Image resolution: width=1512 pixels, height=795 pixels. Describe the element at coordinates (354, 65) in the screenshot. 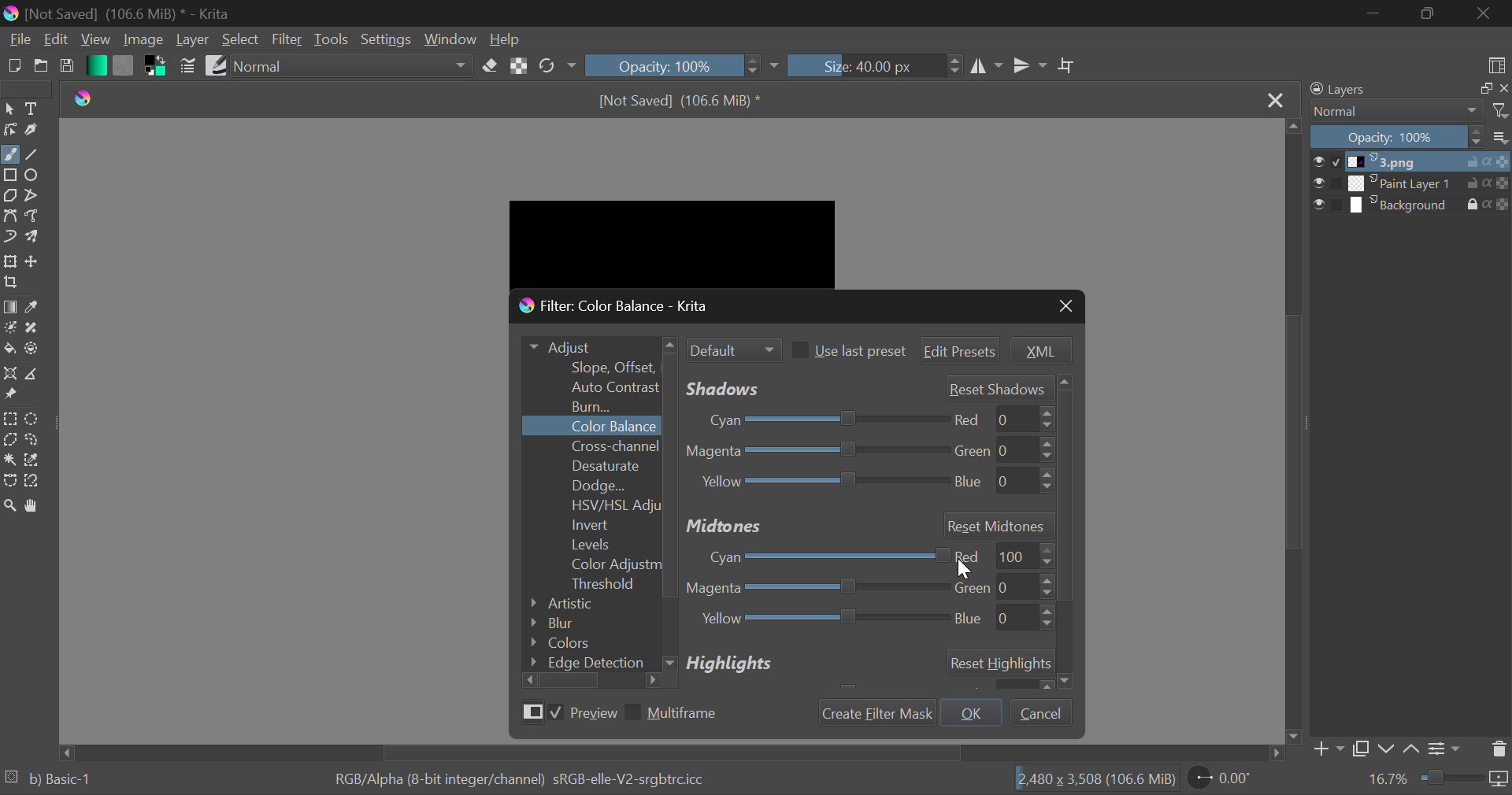

I see `Blending Mode` at that location.